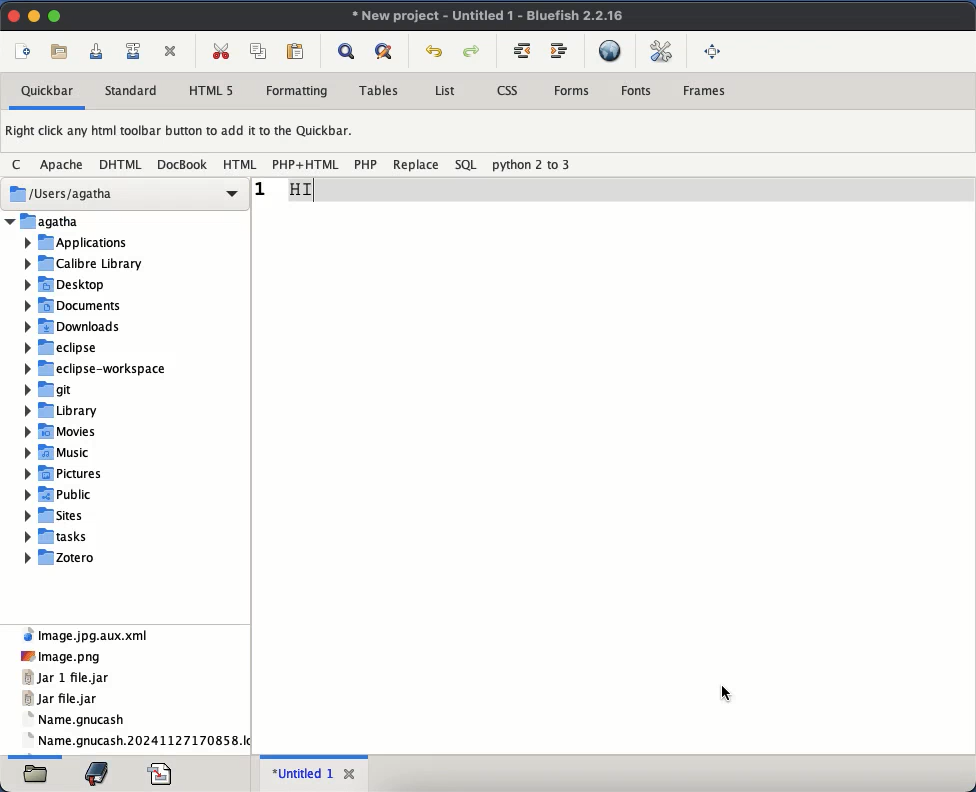  I want to click on save current file, so click(96, 50).